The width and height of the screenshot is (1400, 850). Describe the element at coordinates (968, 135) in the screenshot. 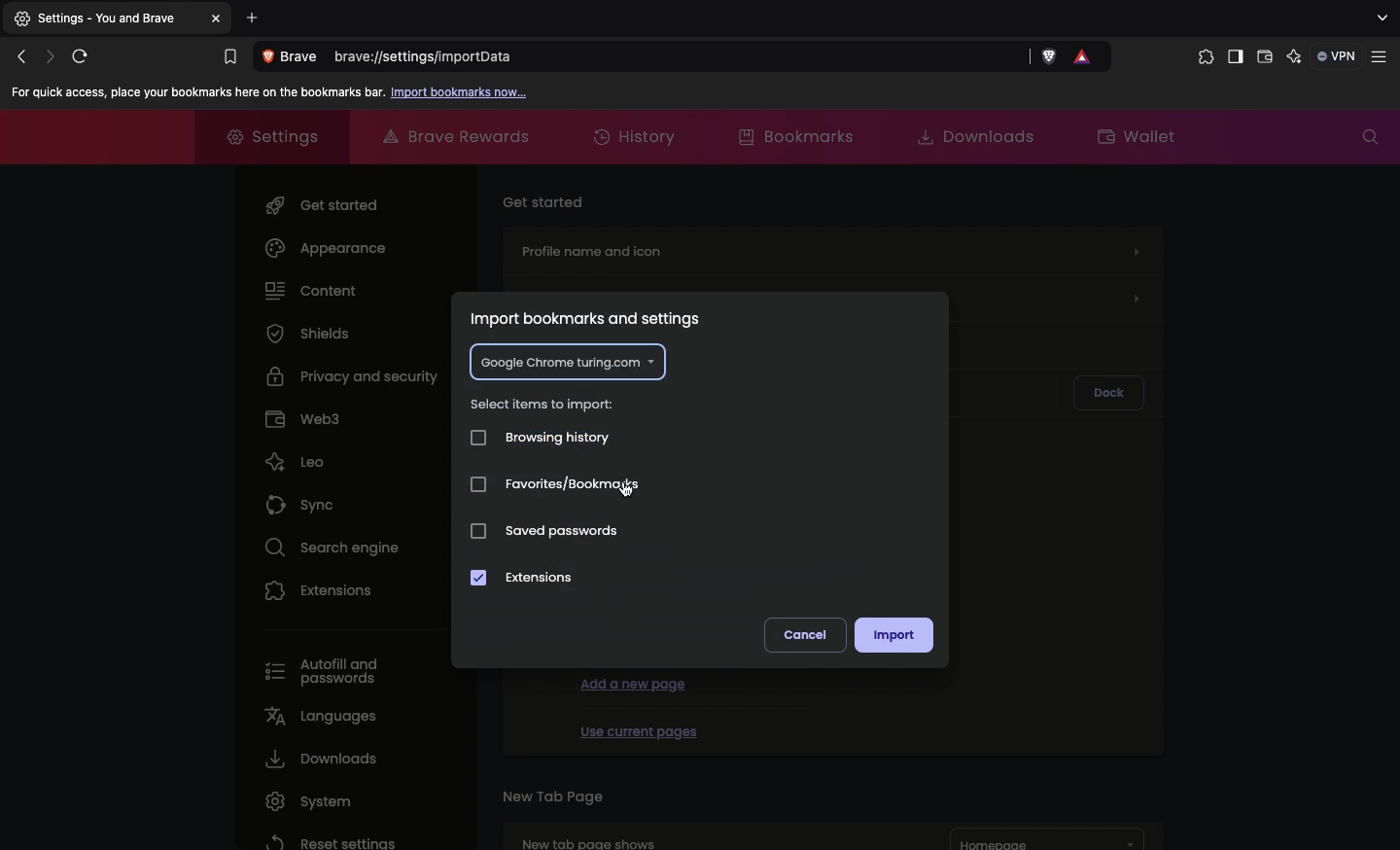

I see `Downloads` at that location.